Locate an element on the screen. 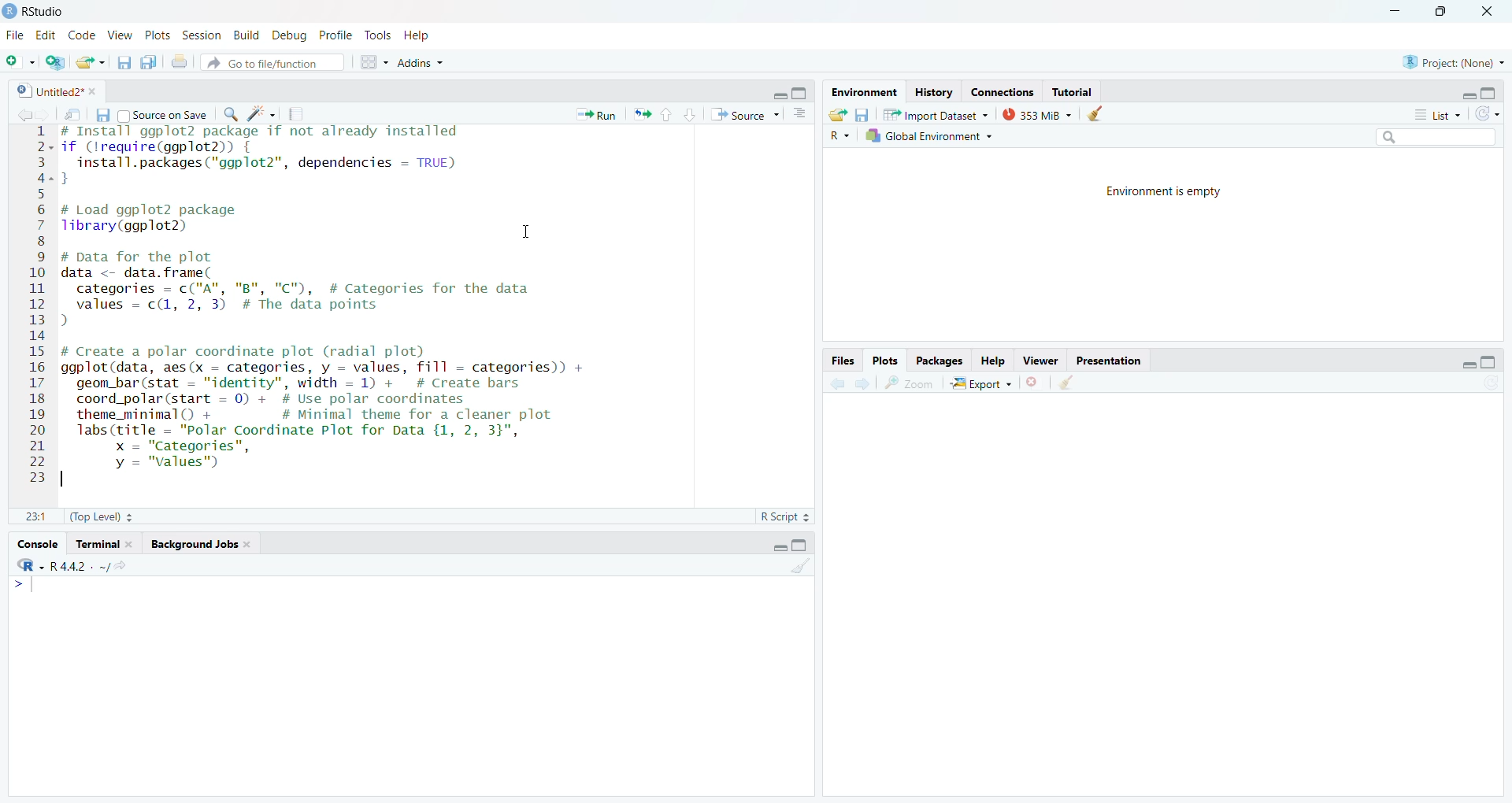 Image resolution: width=1512 pixels, height=803 pixels. Help is located at coordinates (993, 361).